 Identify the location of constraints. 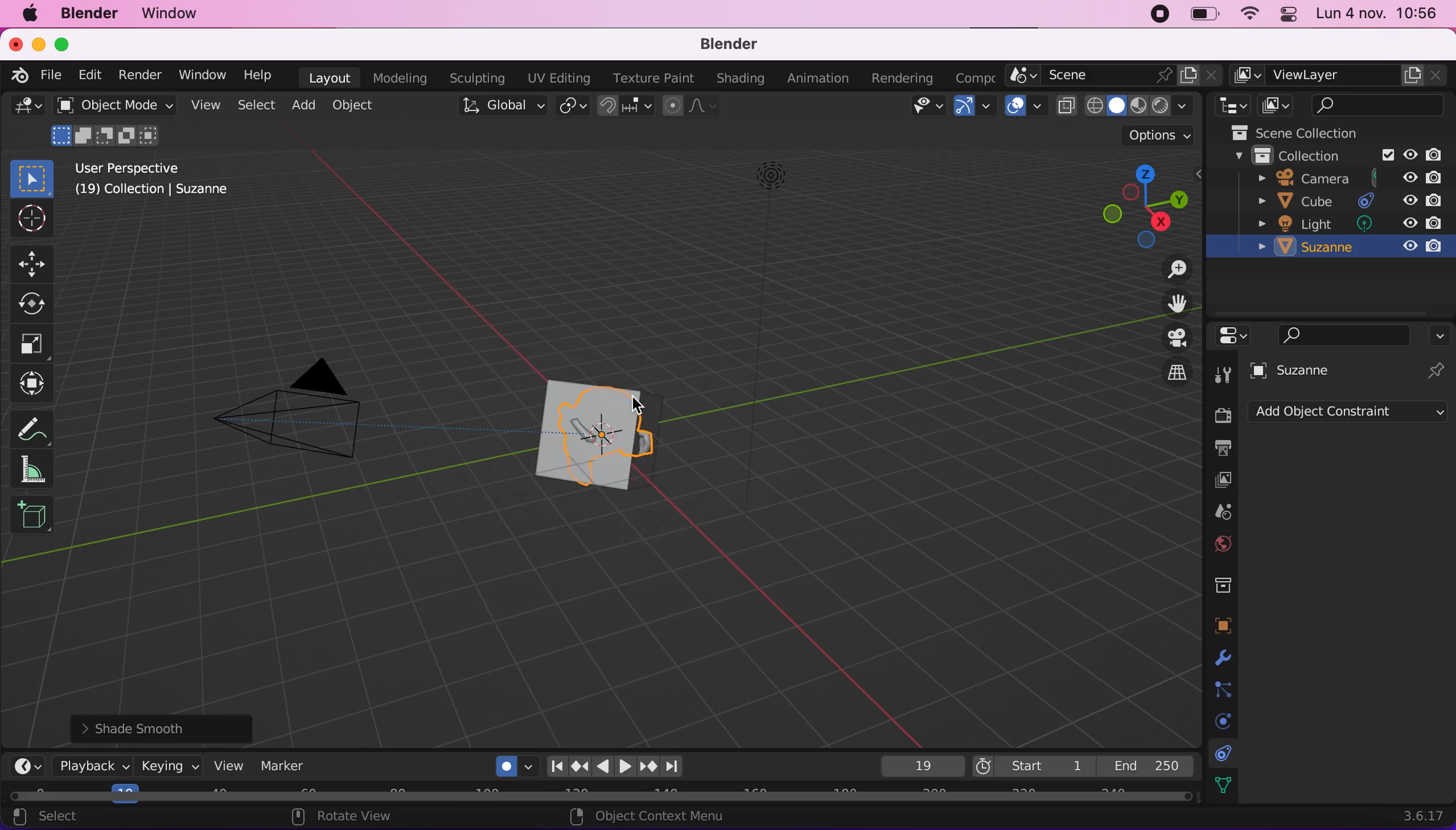
(1224, 751).